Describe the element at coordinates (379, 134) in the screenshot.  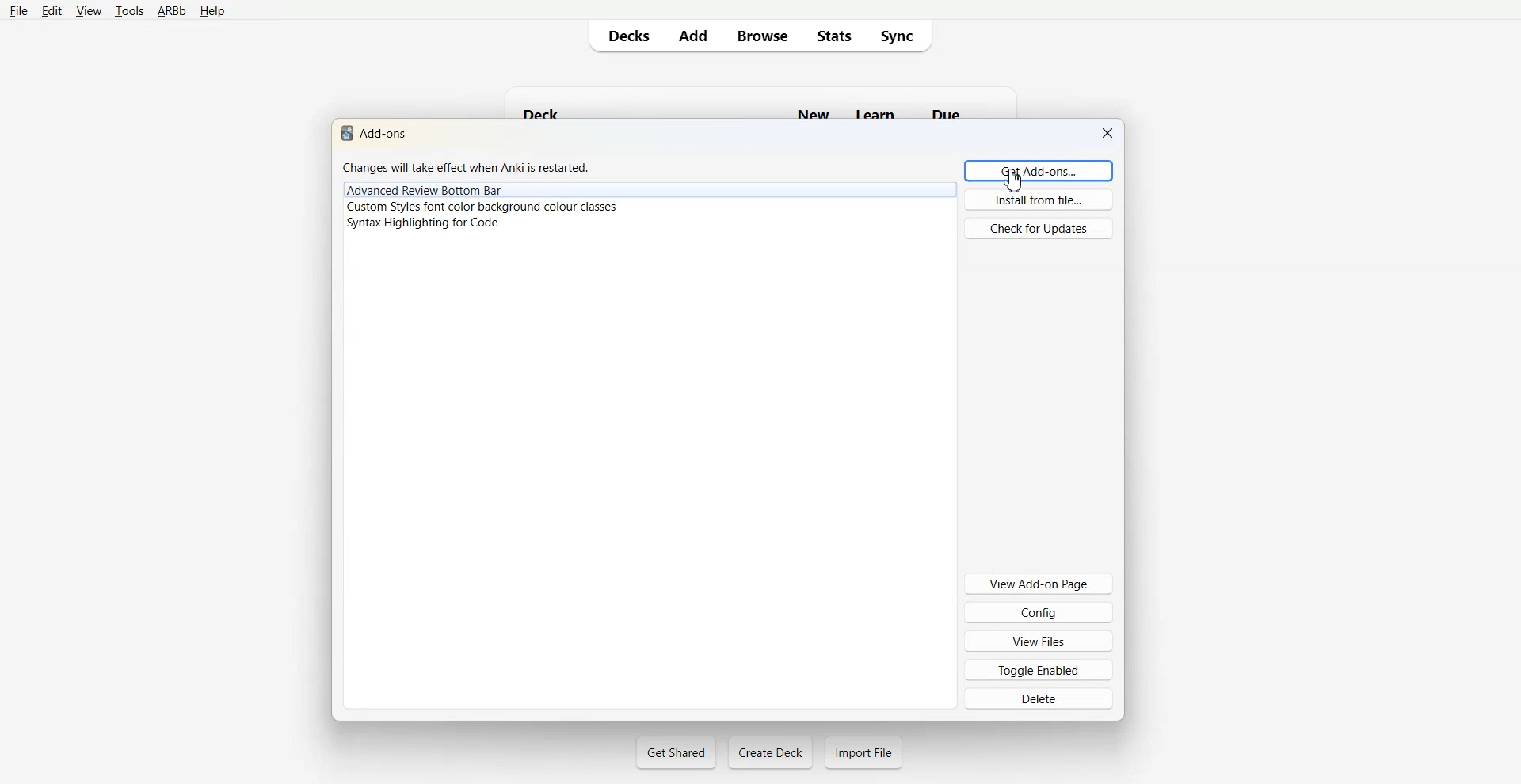
I see `Text 1` at that location.